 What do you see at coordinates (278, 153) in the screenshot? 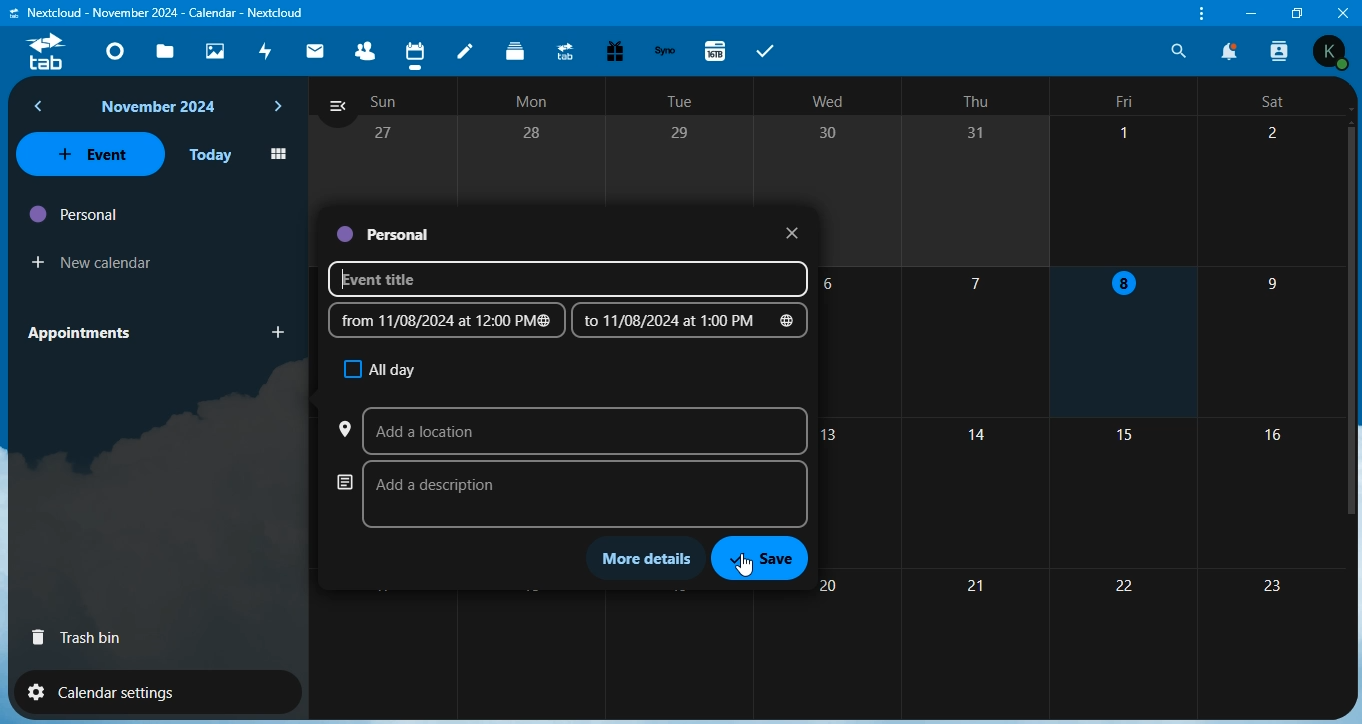
I see `icon` at bounding box center [278, 153].